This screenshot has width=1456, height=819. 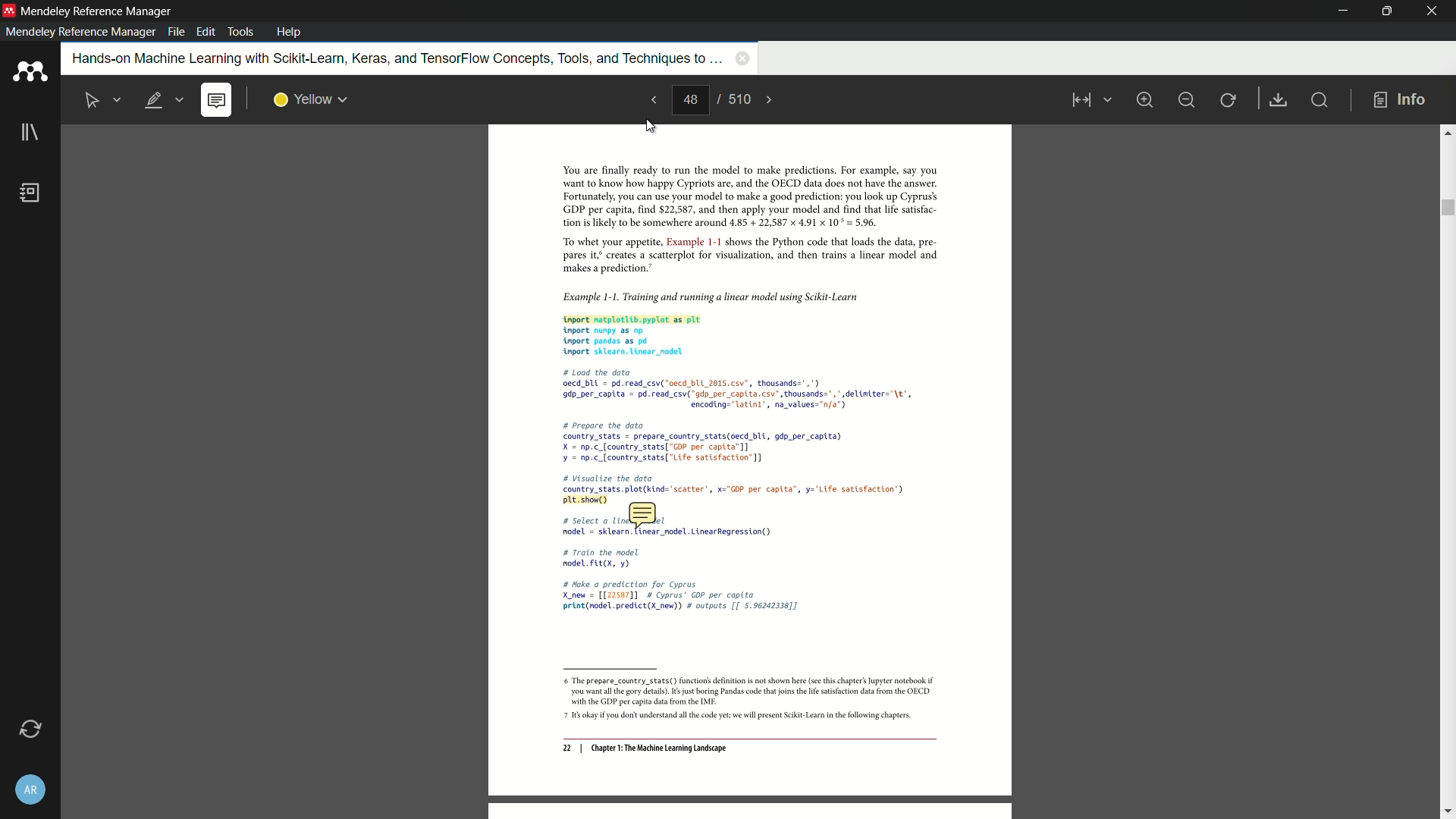 What do you see at coordinates (1318, 99) in the screenshot?
I see `find` at bounding box center [1318, 99].